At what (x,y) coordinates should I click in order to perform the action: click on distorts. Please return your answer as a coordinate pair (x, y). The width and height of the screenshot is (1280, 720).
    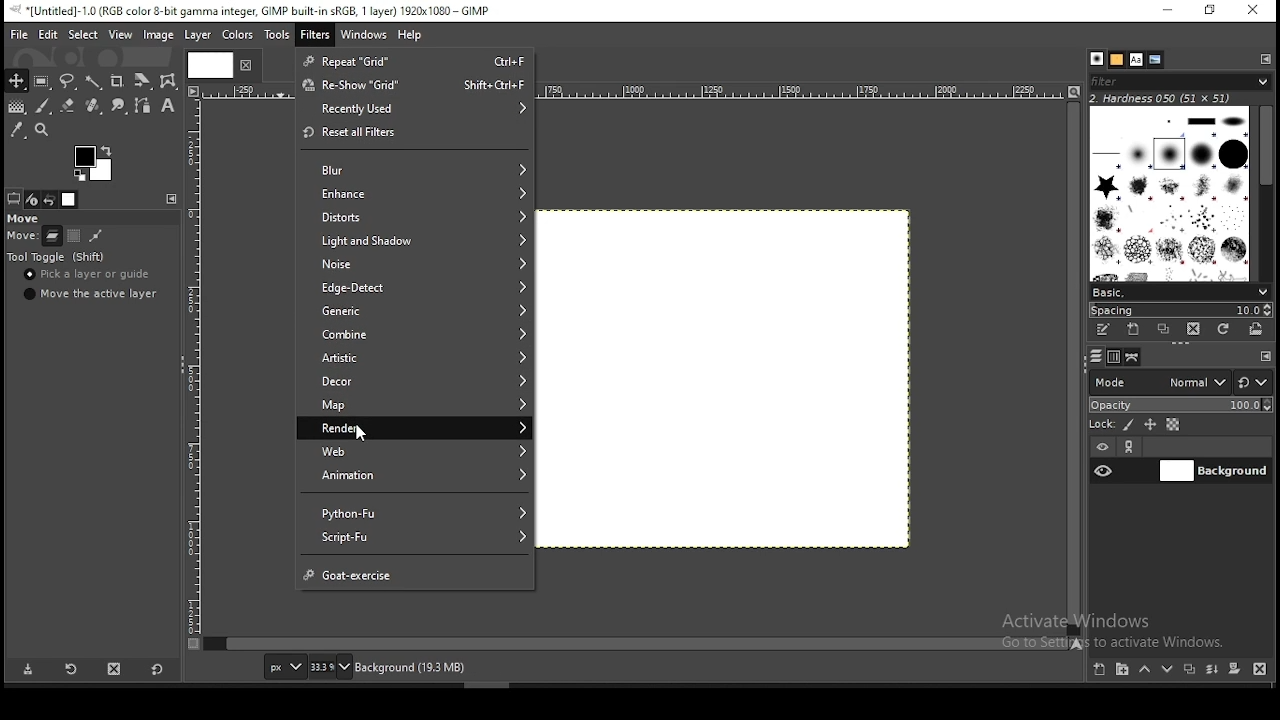
    Looking at the image, I should click on (415, 215).